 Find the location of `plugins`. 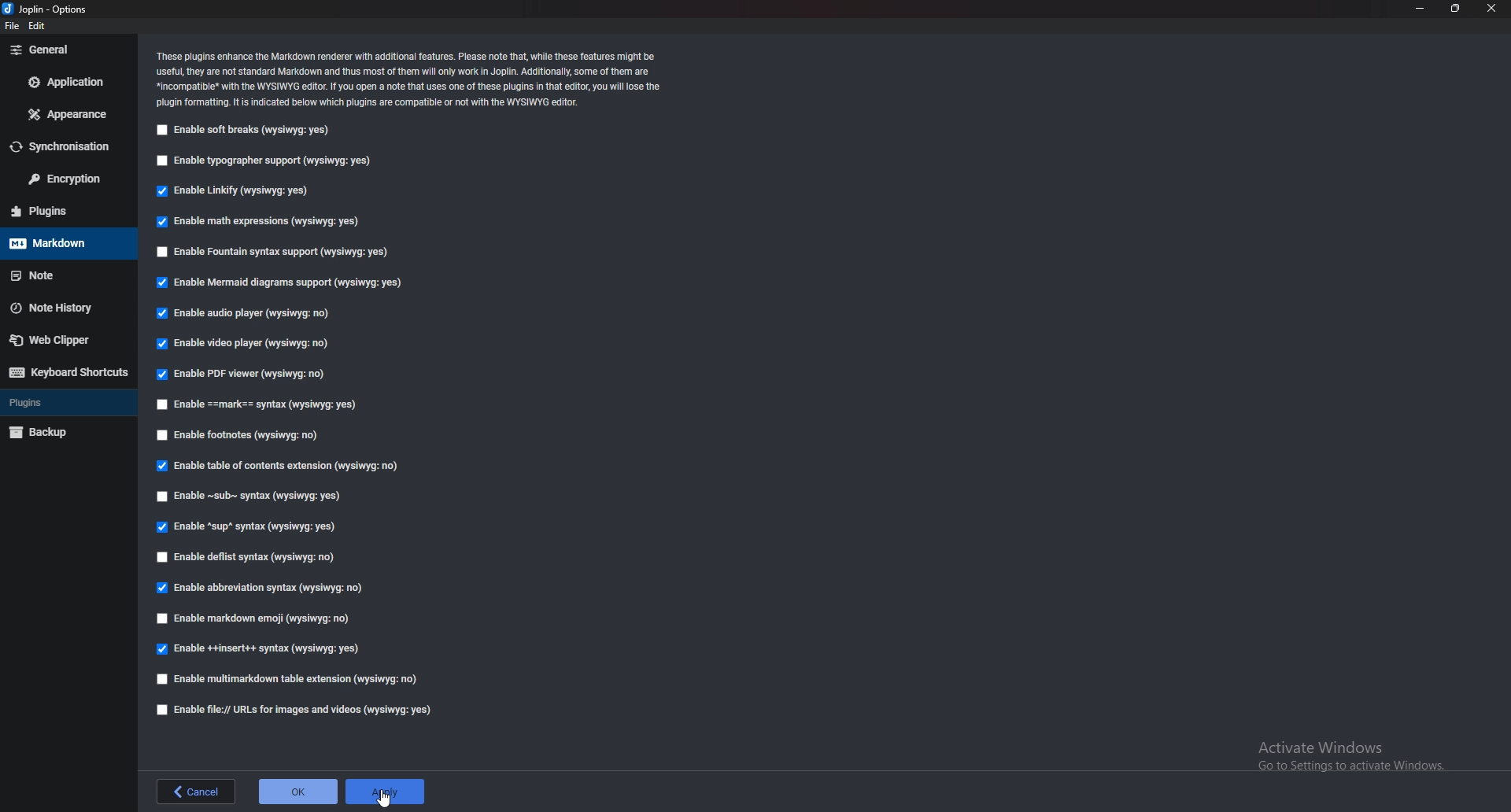

plugins is located at coordinates (68, 401).